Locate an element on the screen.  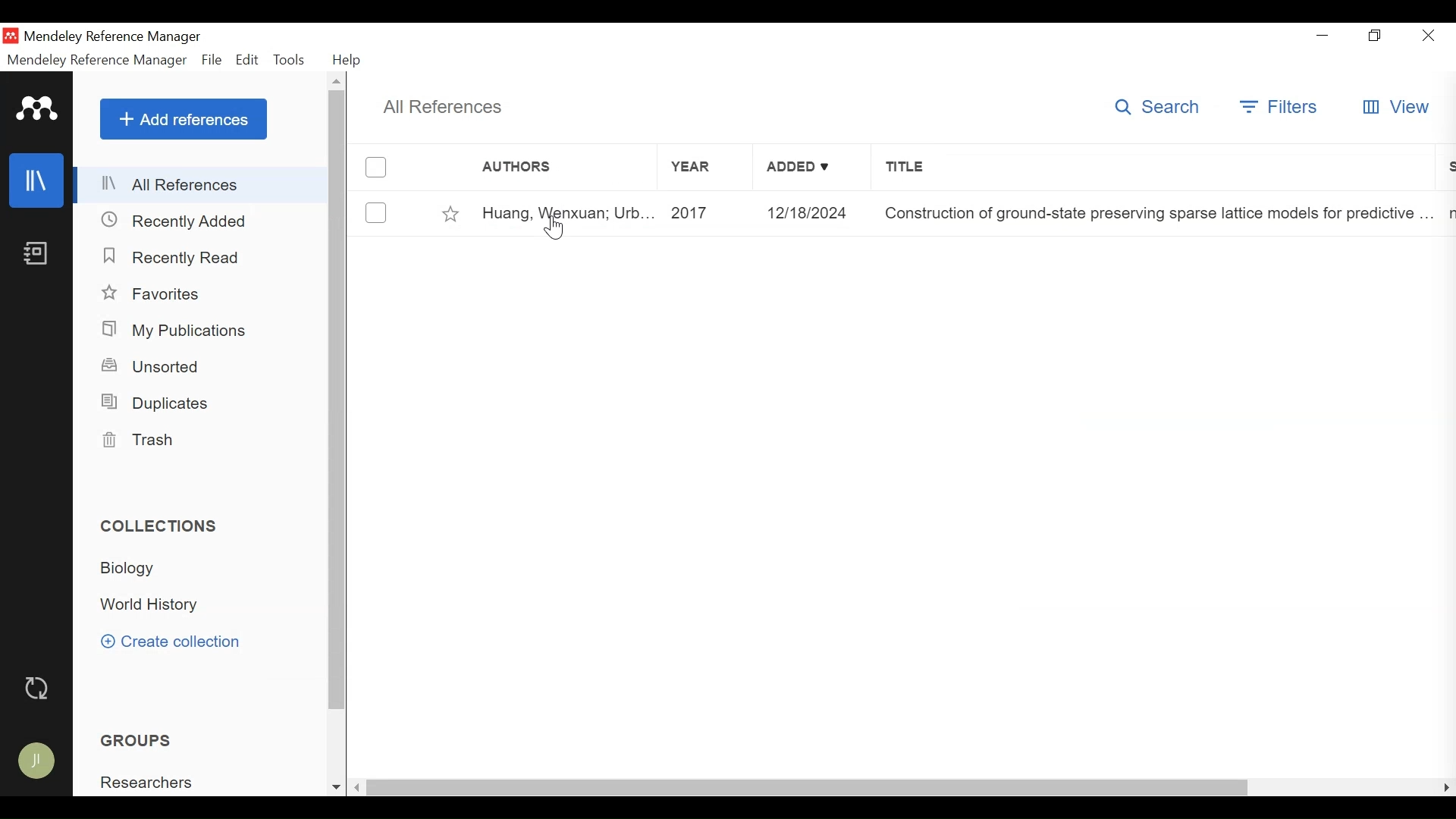
Scroll Left is located at coordinates (356, 788).